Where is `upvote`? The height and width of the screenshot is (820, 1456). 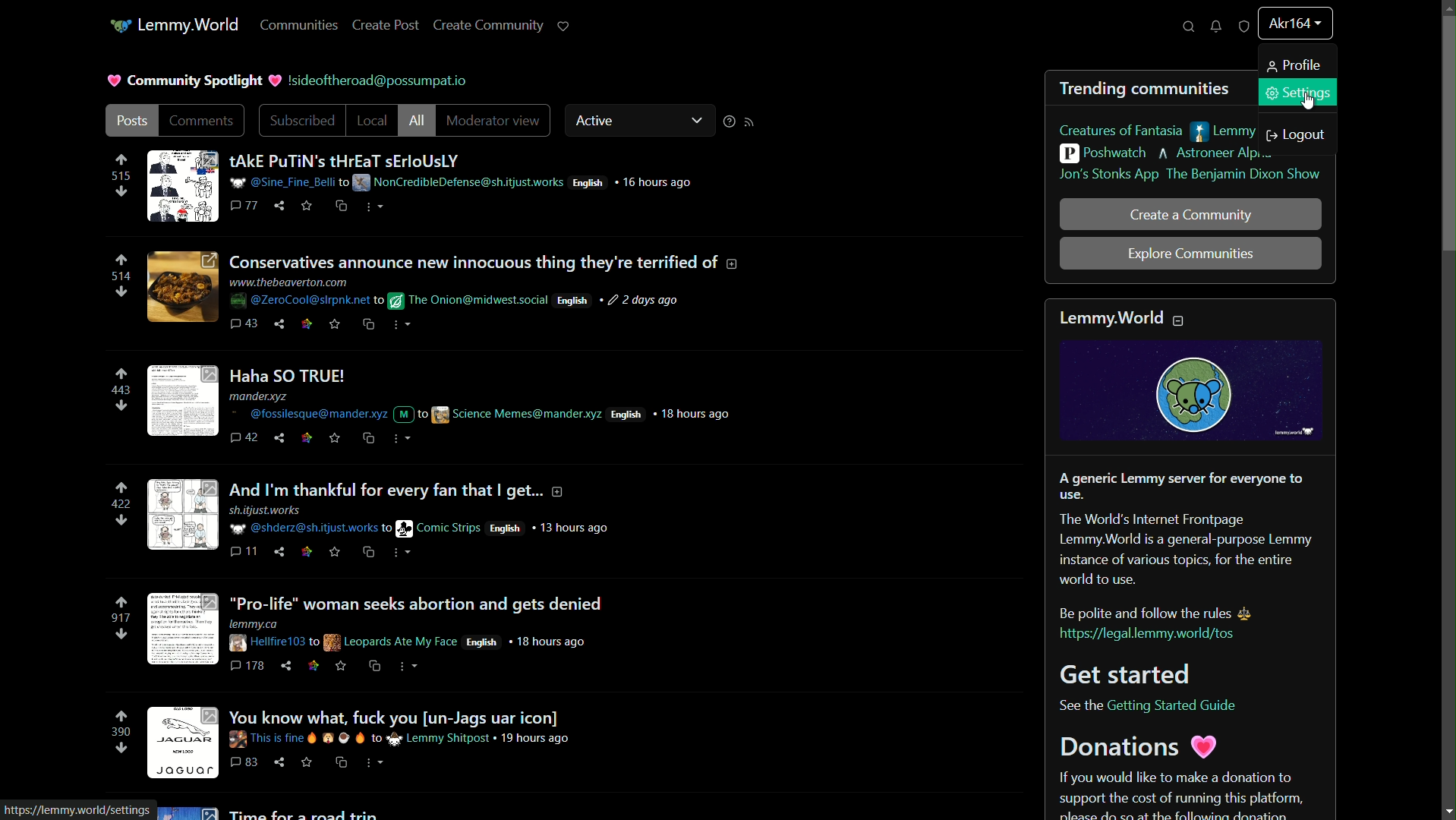
upvote is located at coordinates (123, 605).